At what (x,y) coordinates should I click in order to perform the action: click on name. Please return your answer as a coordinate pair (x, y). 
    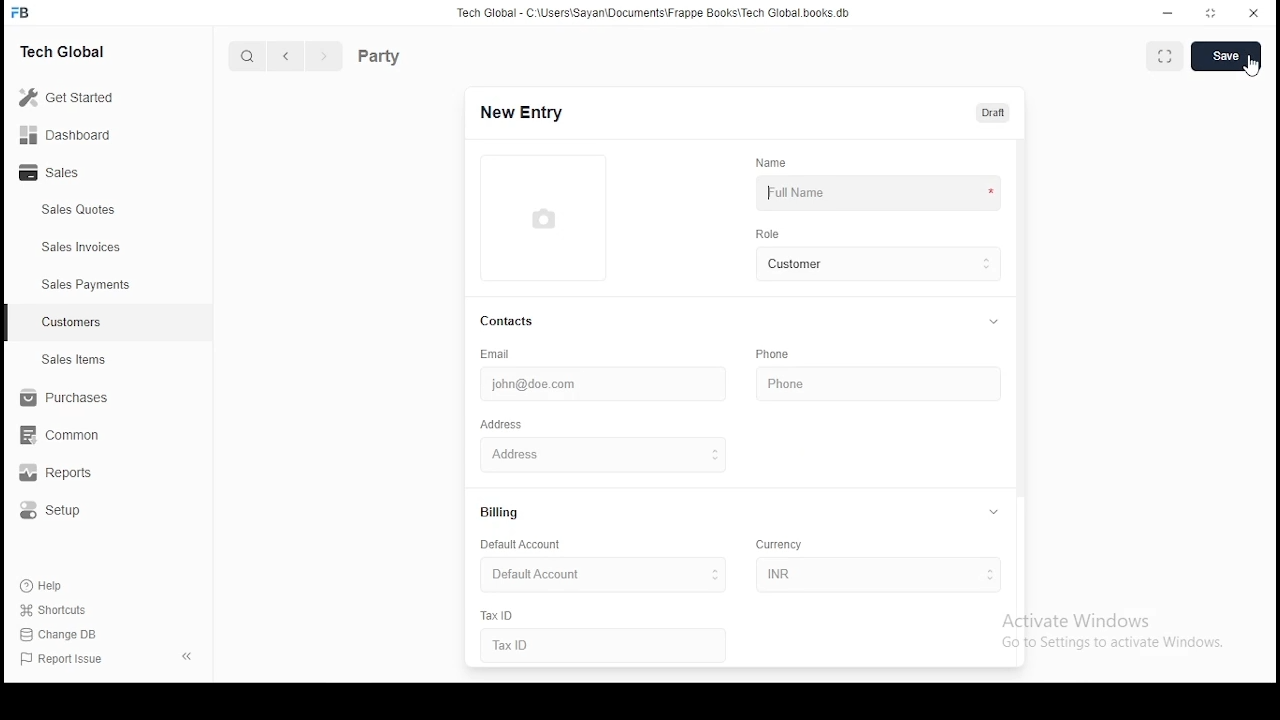
    Looking at the image, I should click on (776, 163).